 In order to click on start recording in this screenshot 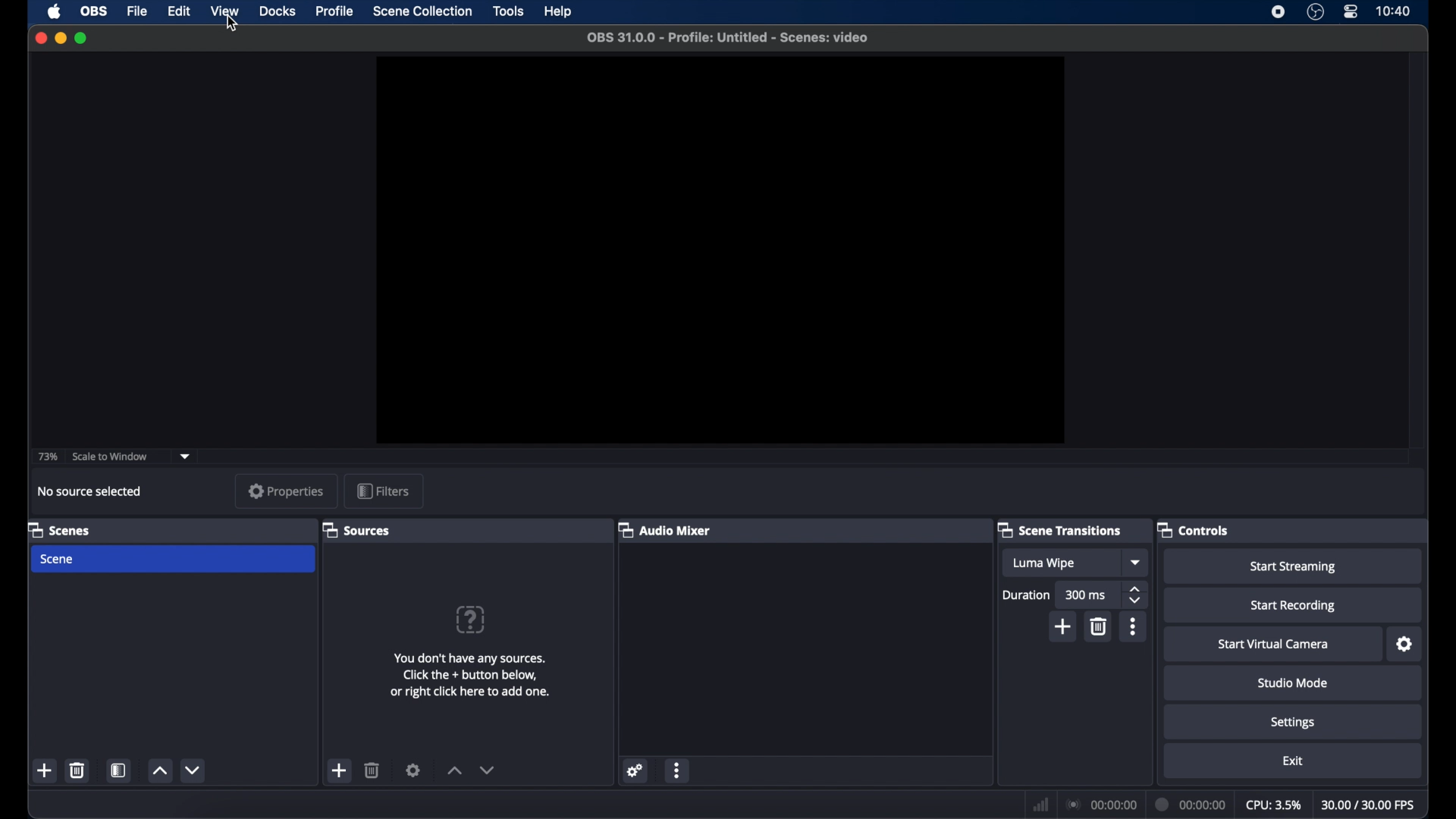, I will do `click(1294, 605)`.